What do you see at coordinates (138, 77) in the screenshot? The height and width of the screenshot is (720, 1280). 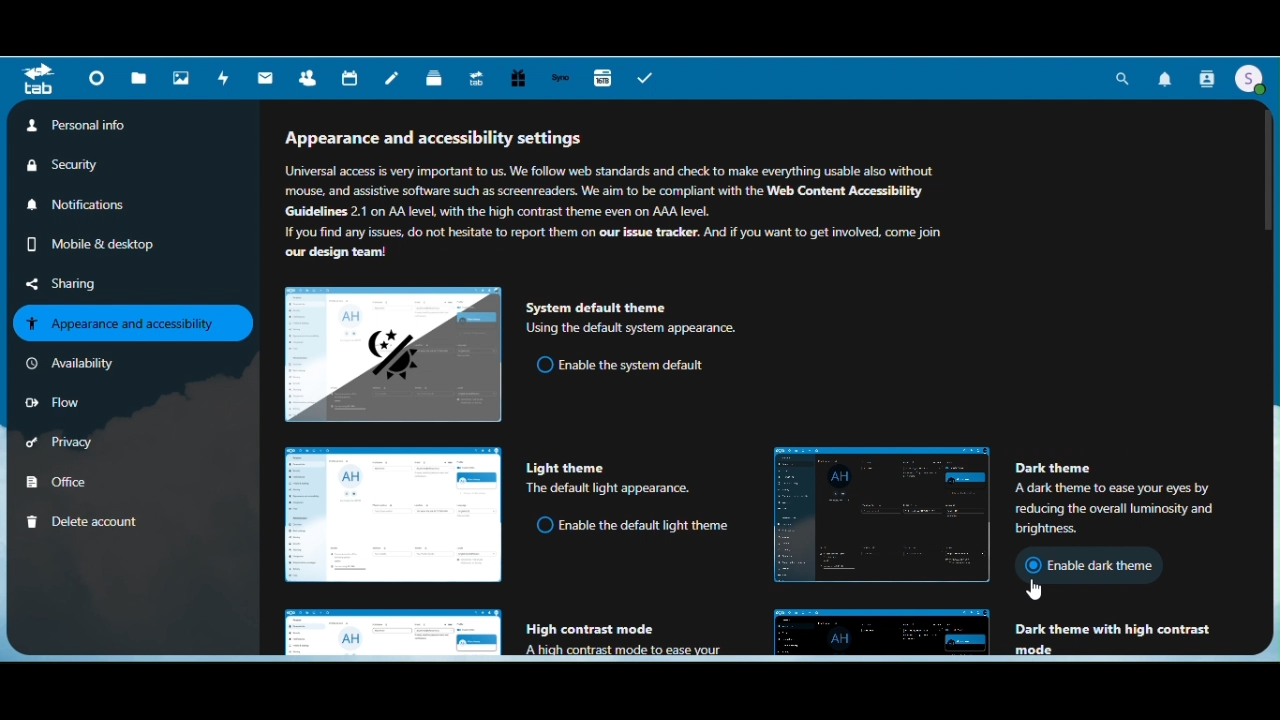 I see `Files` at bounding box center [138, 77].